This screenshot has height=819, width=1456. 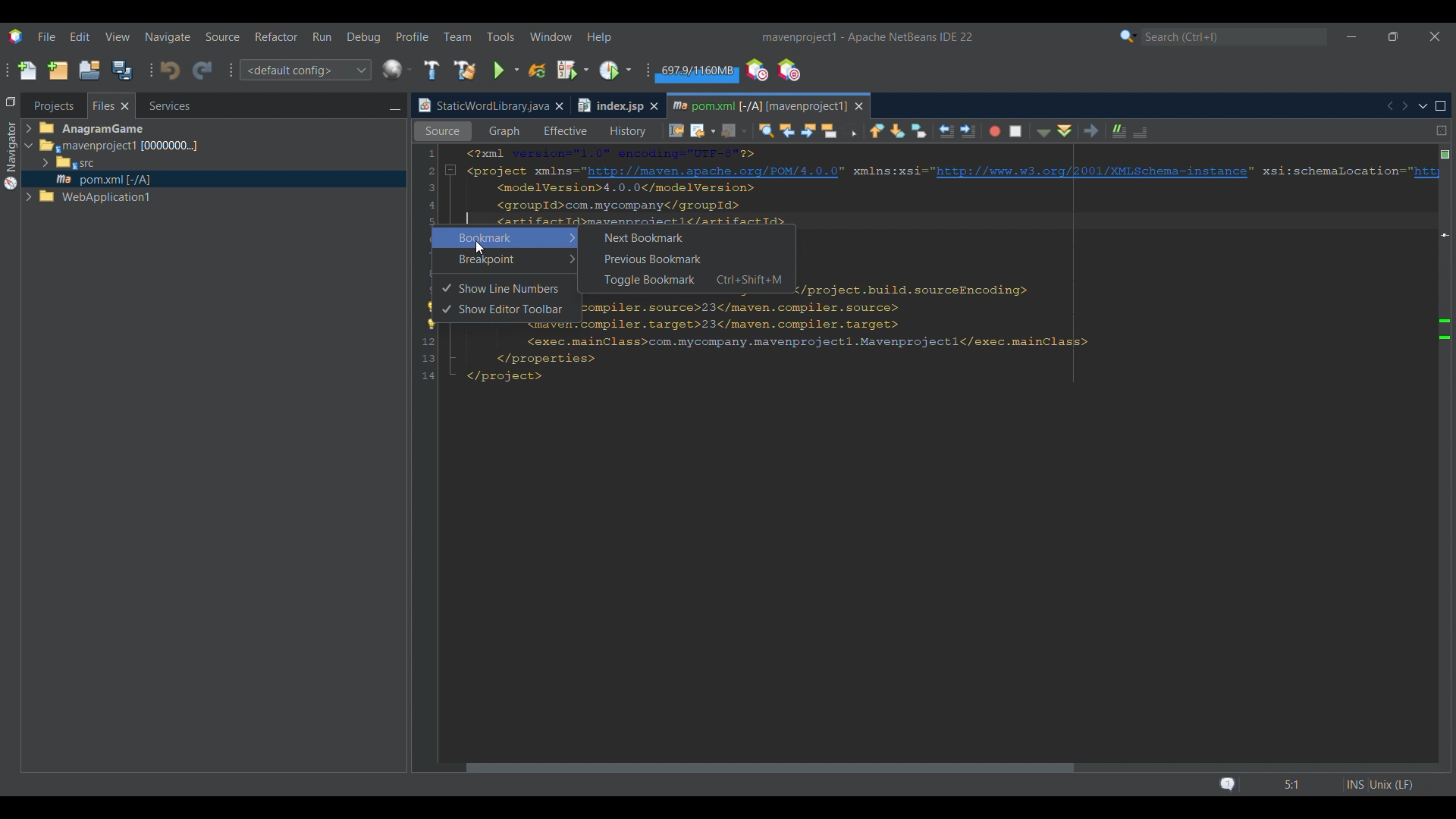 I want to click on Bookmark options highlighted by cursor, so click(x=505, y=238).